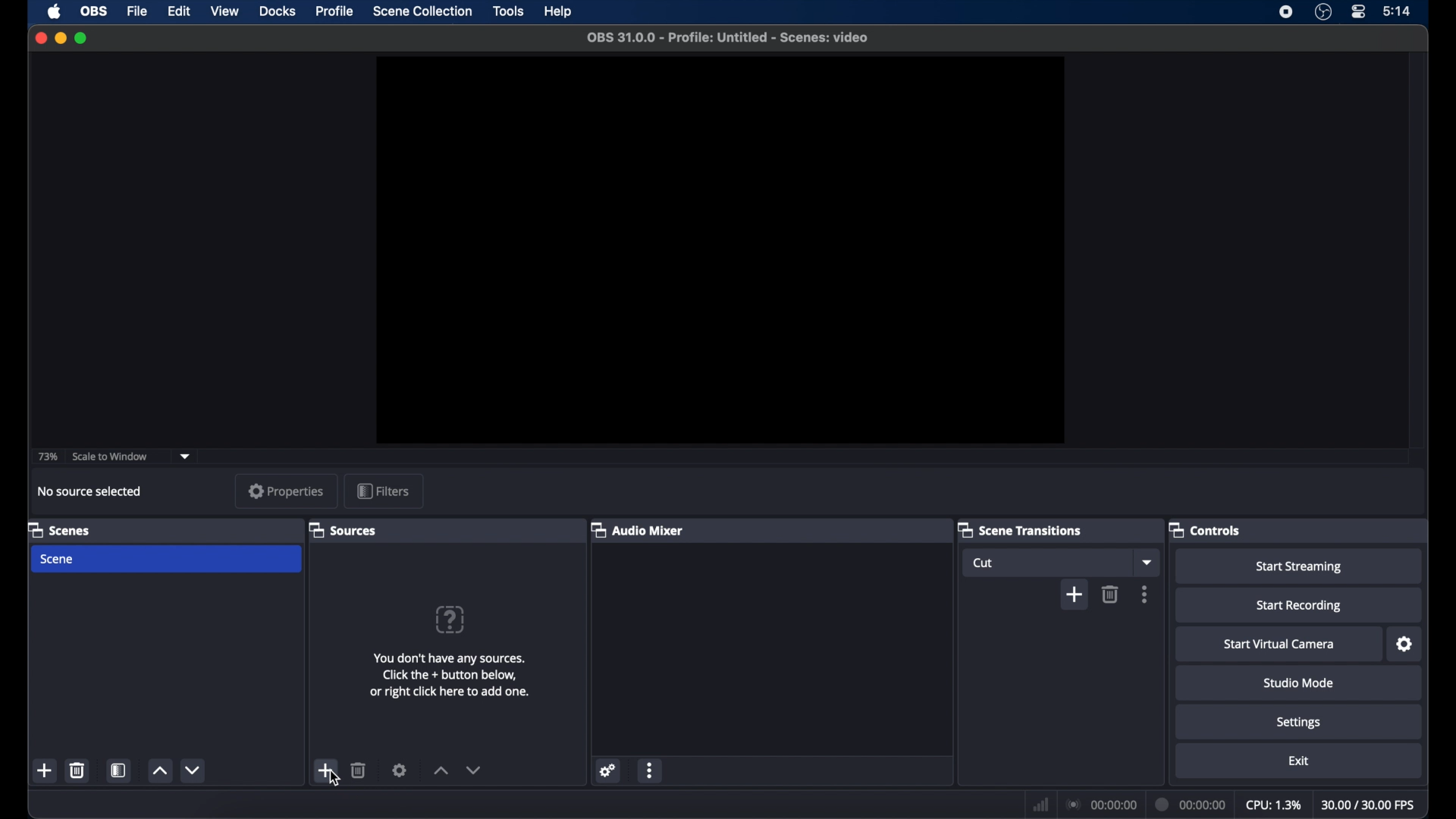 This screenshot has height=819, width=1456. What do you see at coordinates (422, 11) in the screenshot?
I see `scene collection` at bounding box center [422, 11].